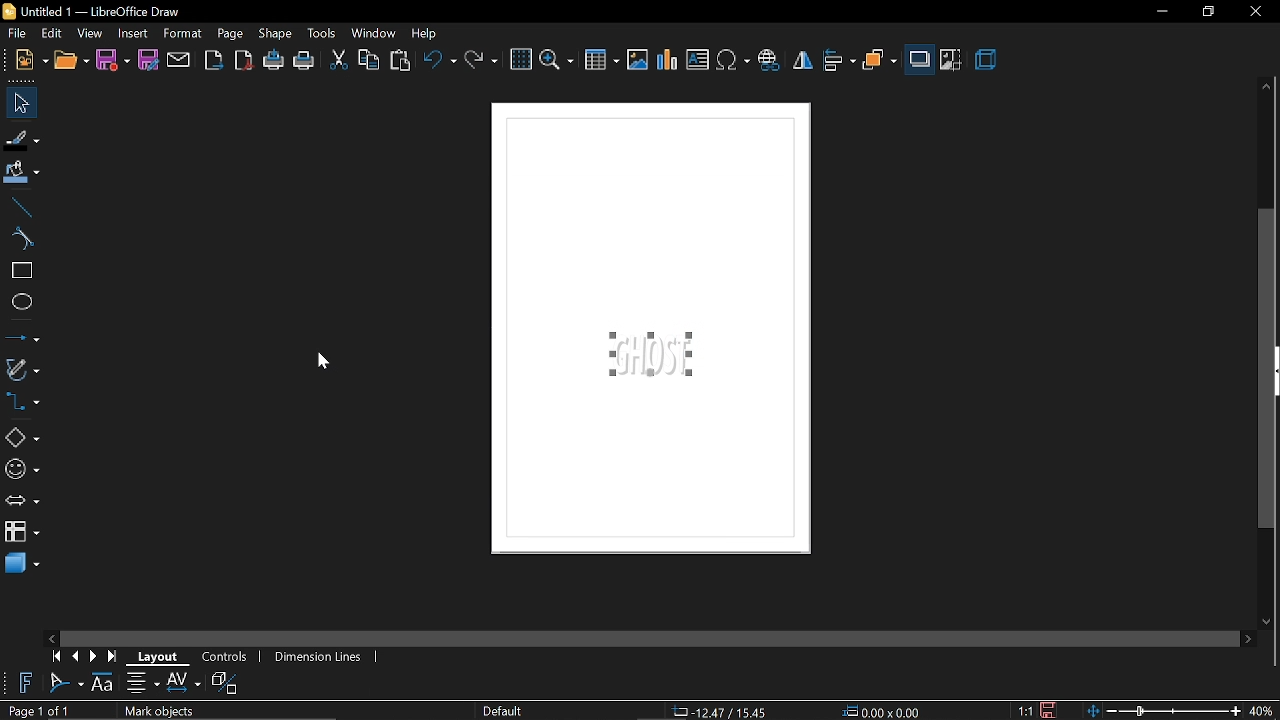 The image size is (1280, 720). I want to click on move down, so click(1267, 621).